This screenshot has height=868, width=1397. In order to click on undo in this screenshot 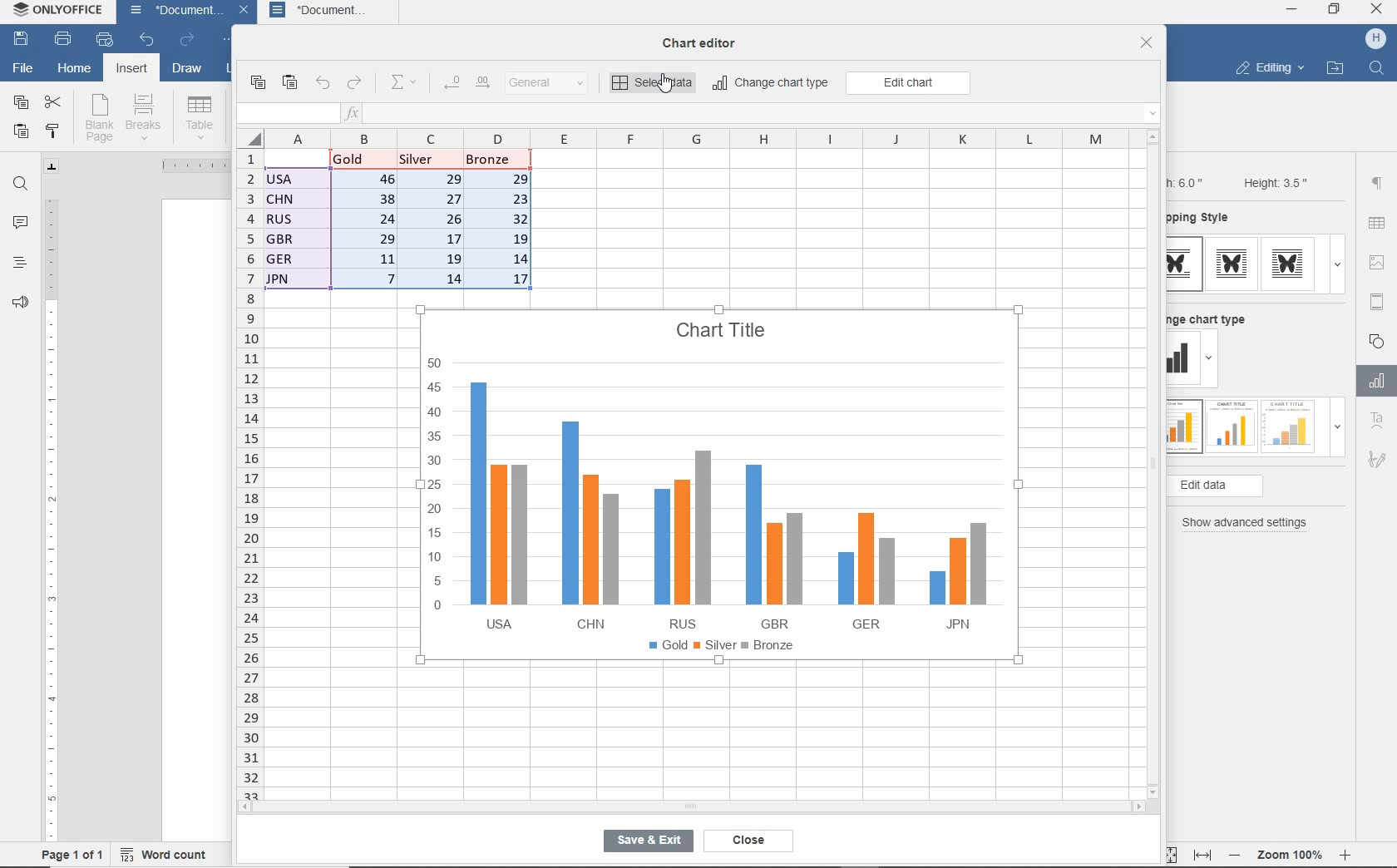, I will do `click(322, 84)`.